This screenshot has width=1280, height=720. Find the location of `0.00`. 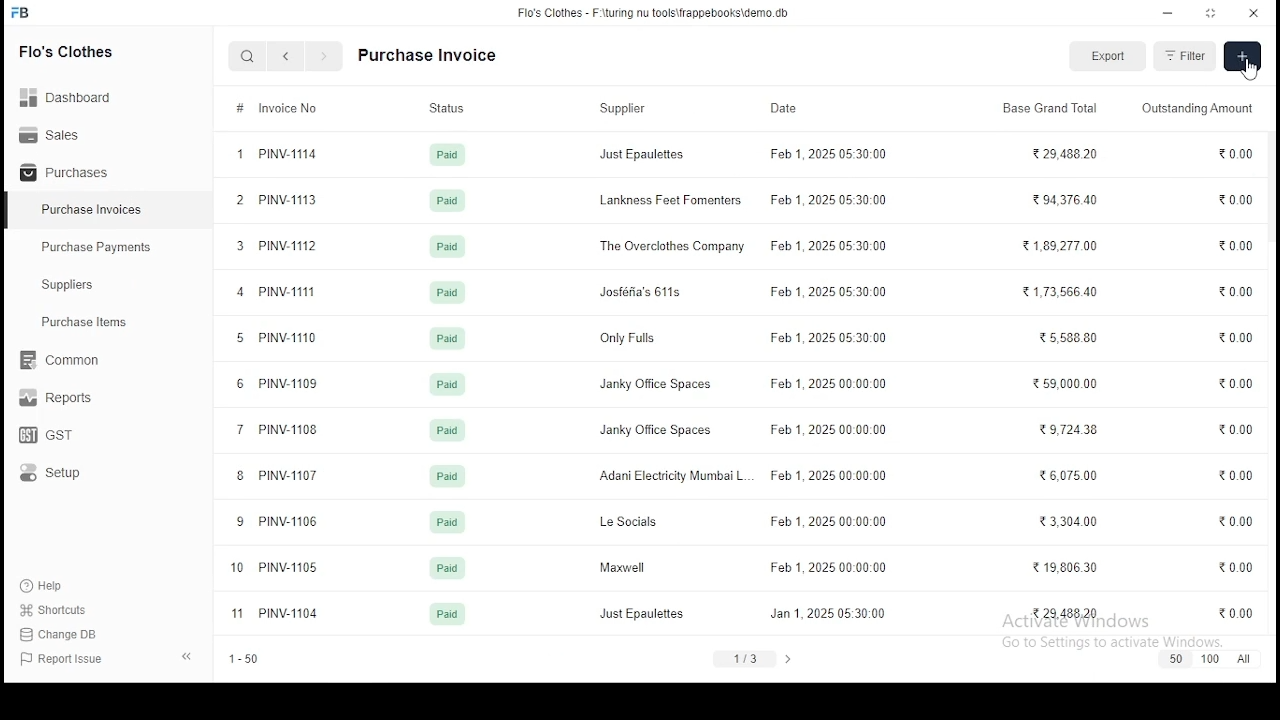

0.00 is located at coordinates (1236, 613).